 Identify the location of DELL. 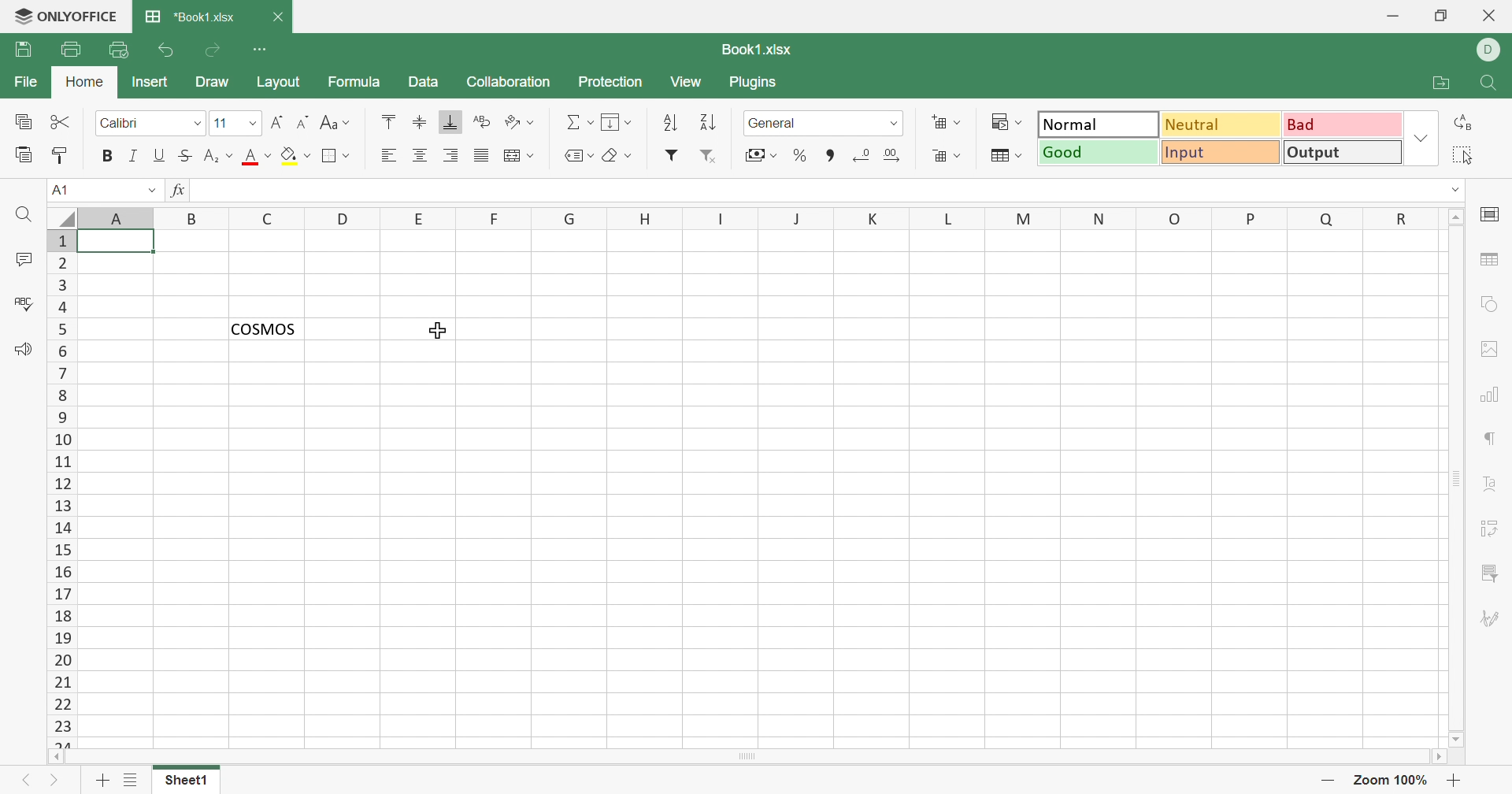
(1488, 50).